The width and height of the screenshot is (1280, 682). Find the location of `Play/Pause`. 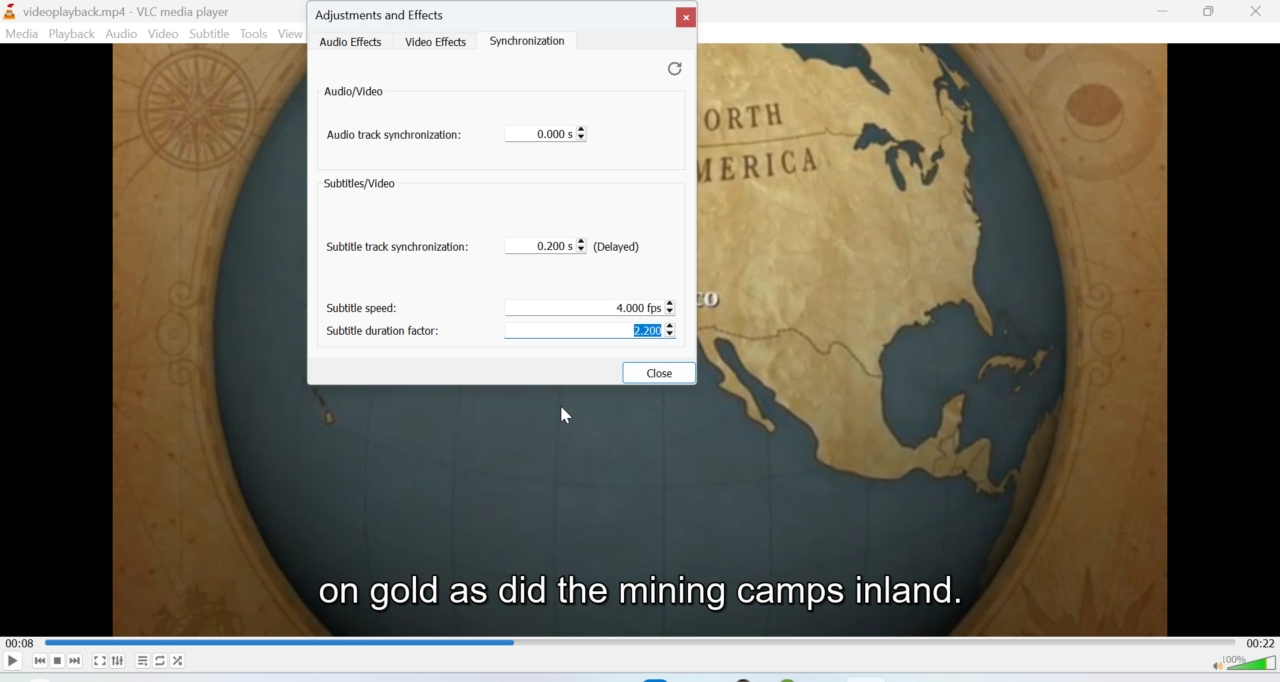

Play/Pause is located at coordinates (13, 661).